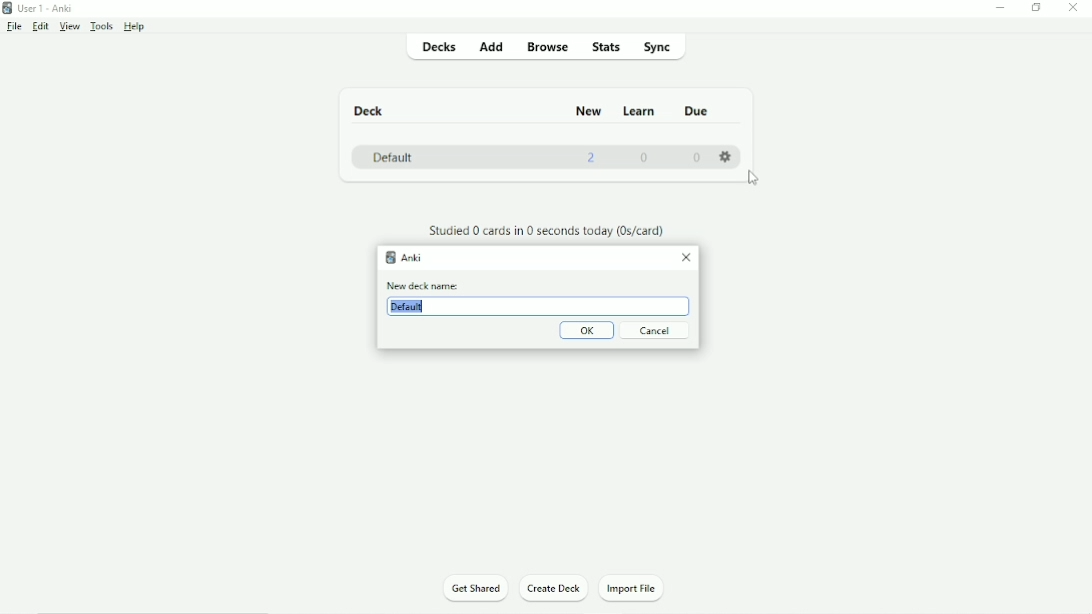 The height and width of the screenshot is (614, 1092). I want to click on Edit, so click(41, 26).